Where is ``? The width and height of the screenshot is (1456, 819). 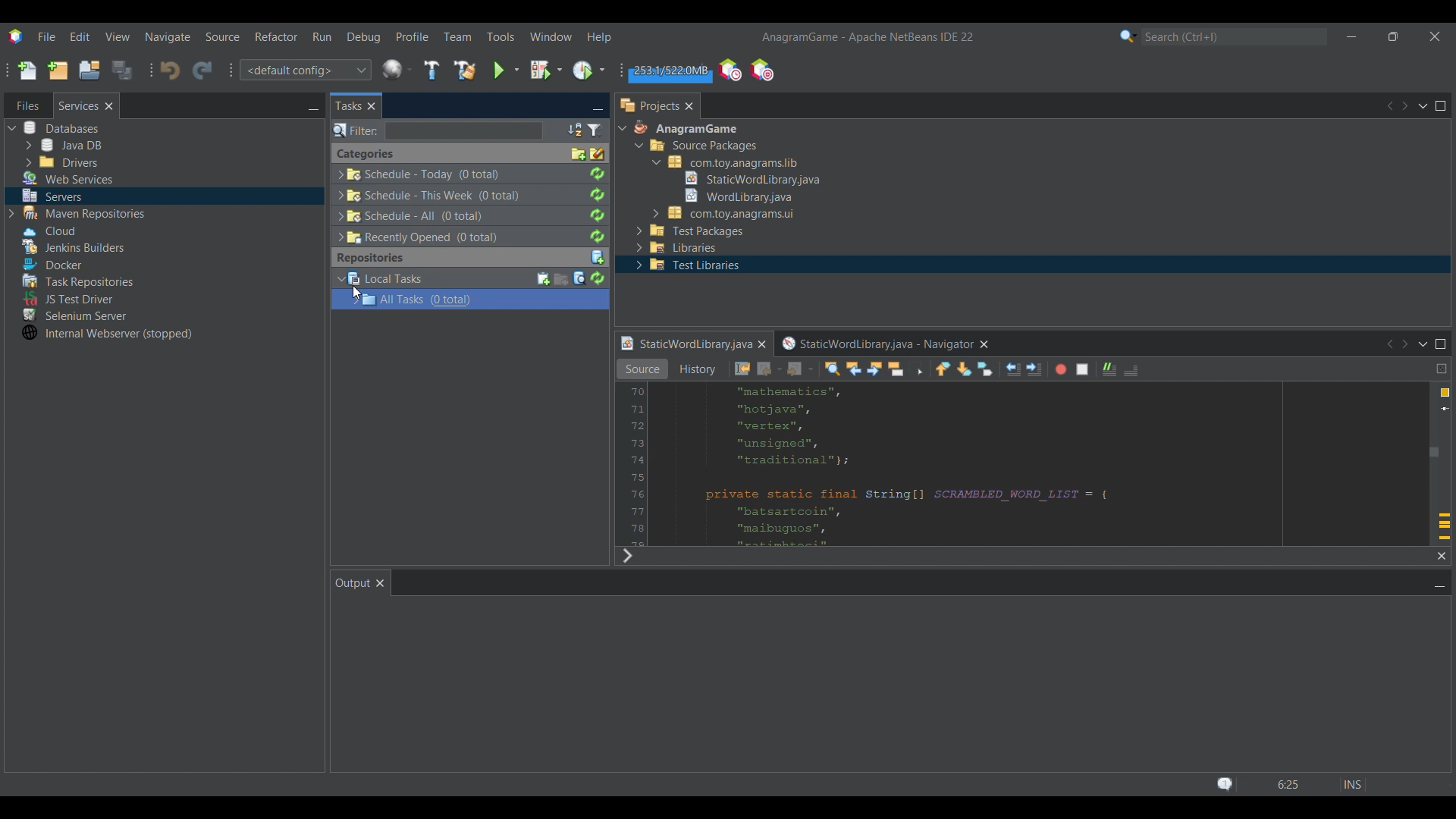  is located at coordinates (850, 369).